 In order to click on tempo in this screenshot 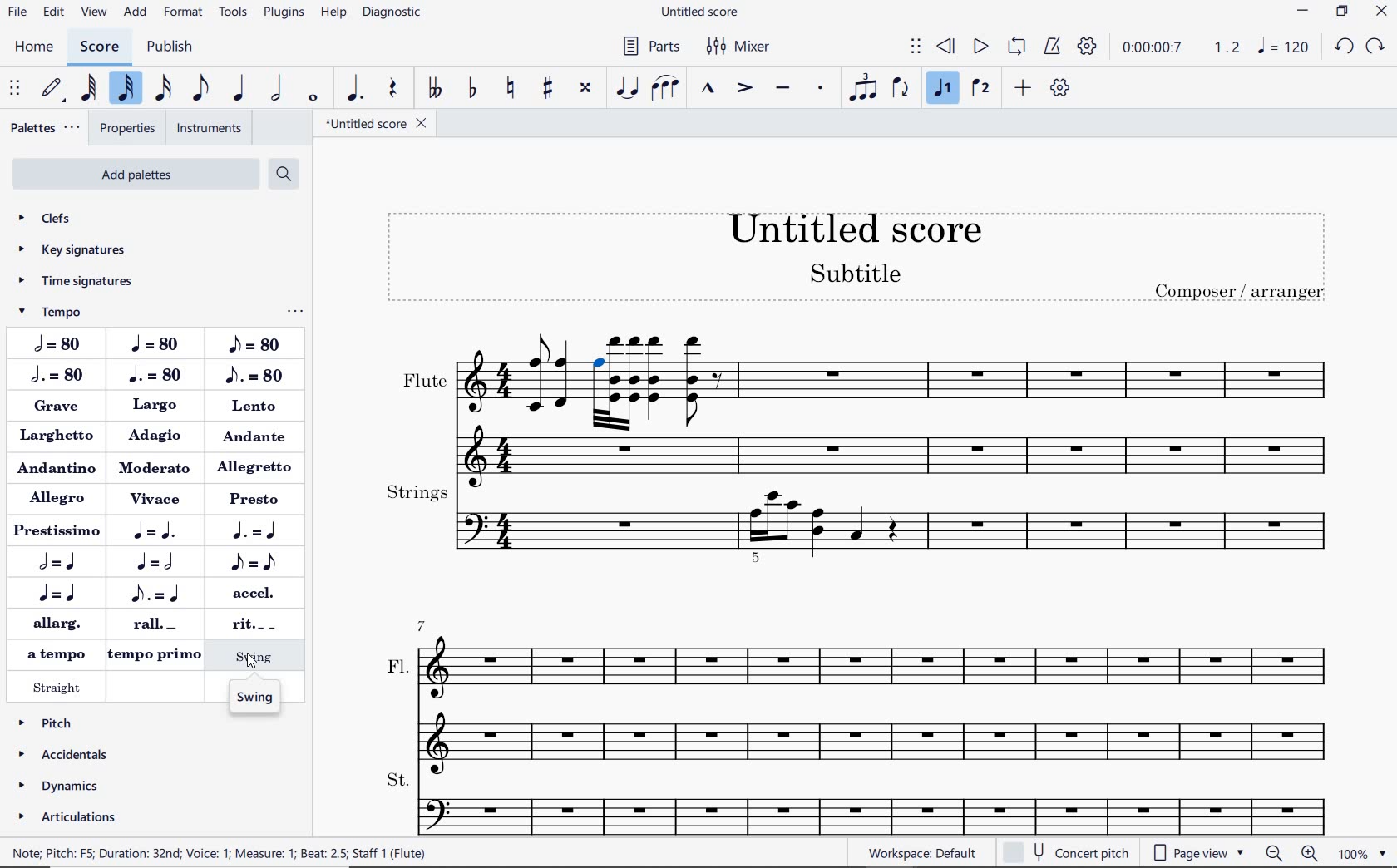, I will do `click(71, 311)`.